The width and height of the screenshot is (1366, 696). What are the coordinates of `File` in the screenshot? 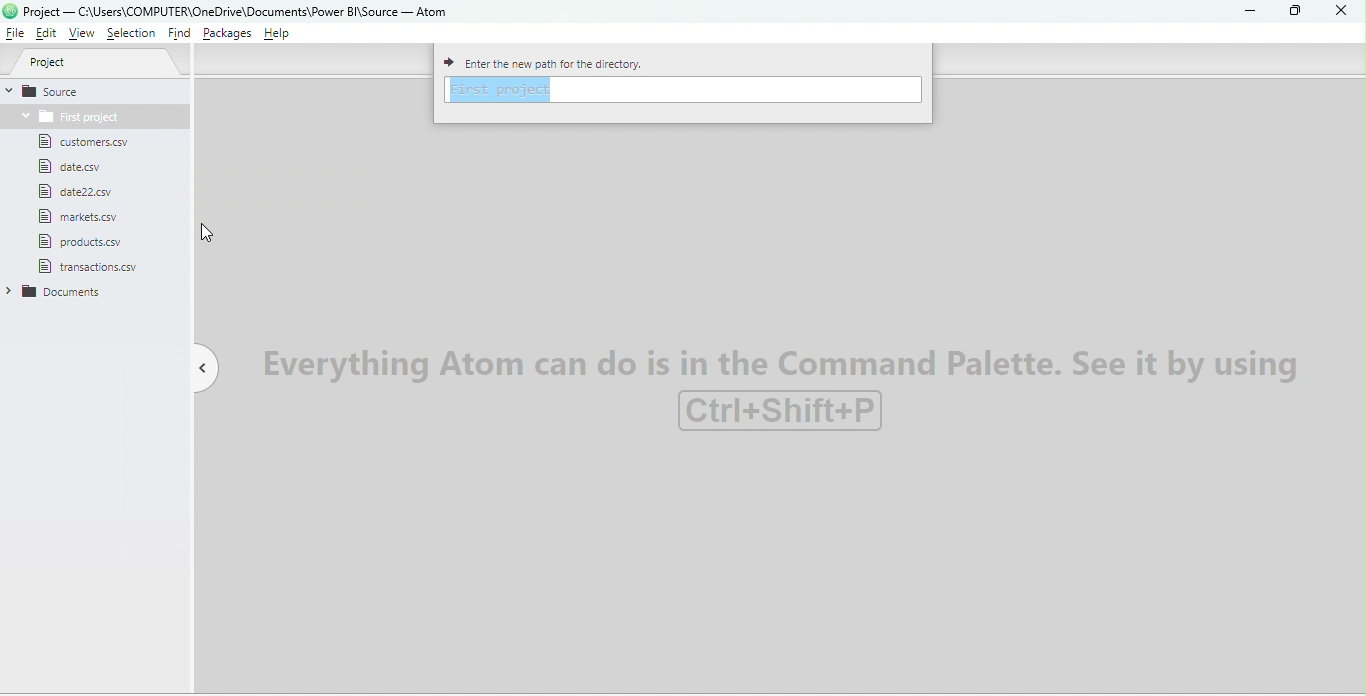 It's located at (80, 191).